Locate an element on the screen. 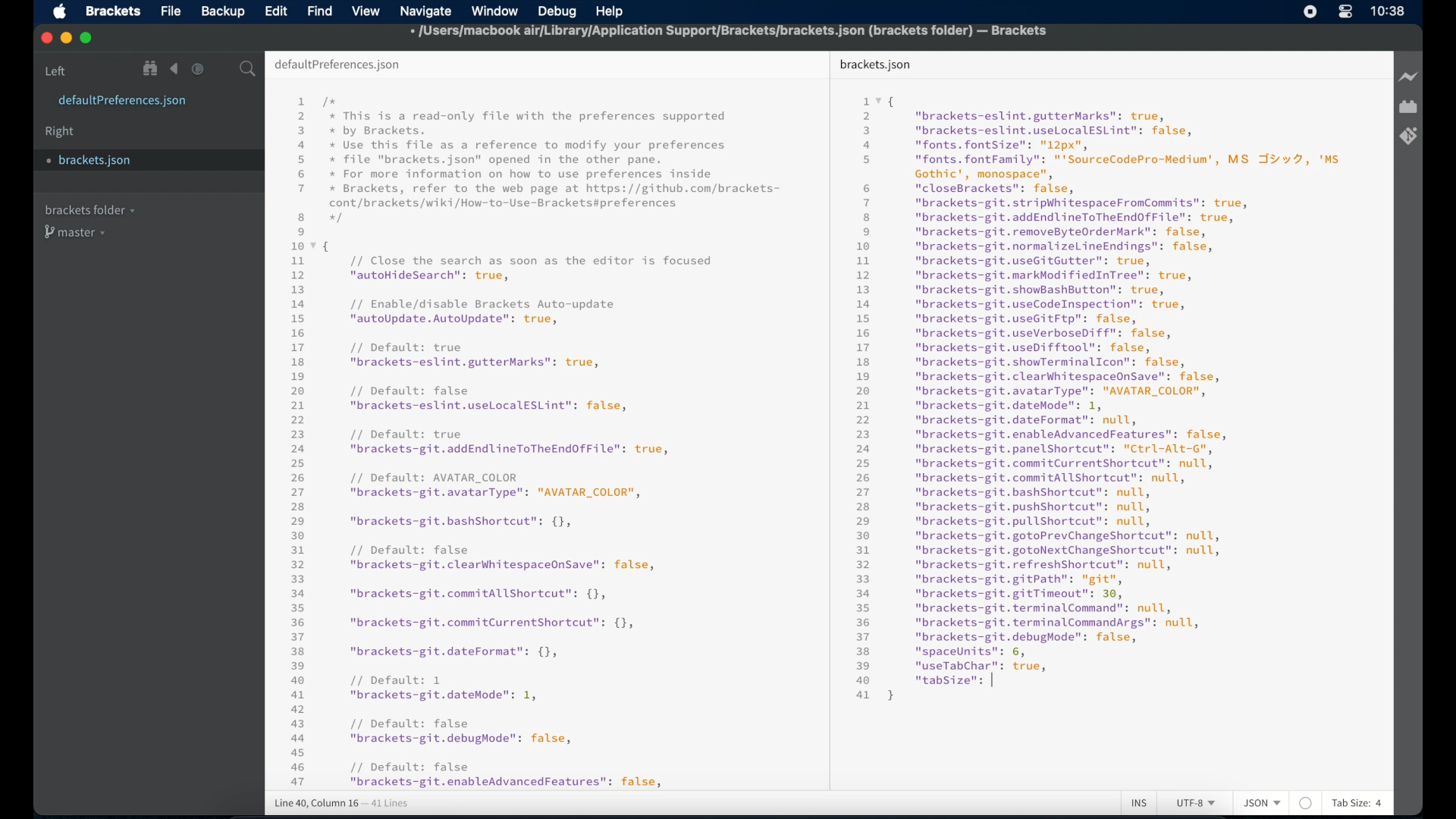  Cursor is located at coordinates (1005, 683).